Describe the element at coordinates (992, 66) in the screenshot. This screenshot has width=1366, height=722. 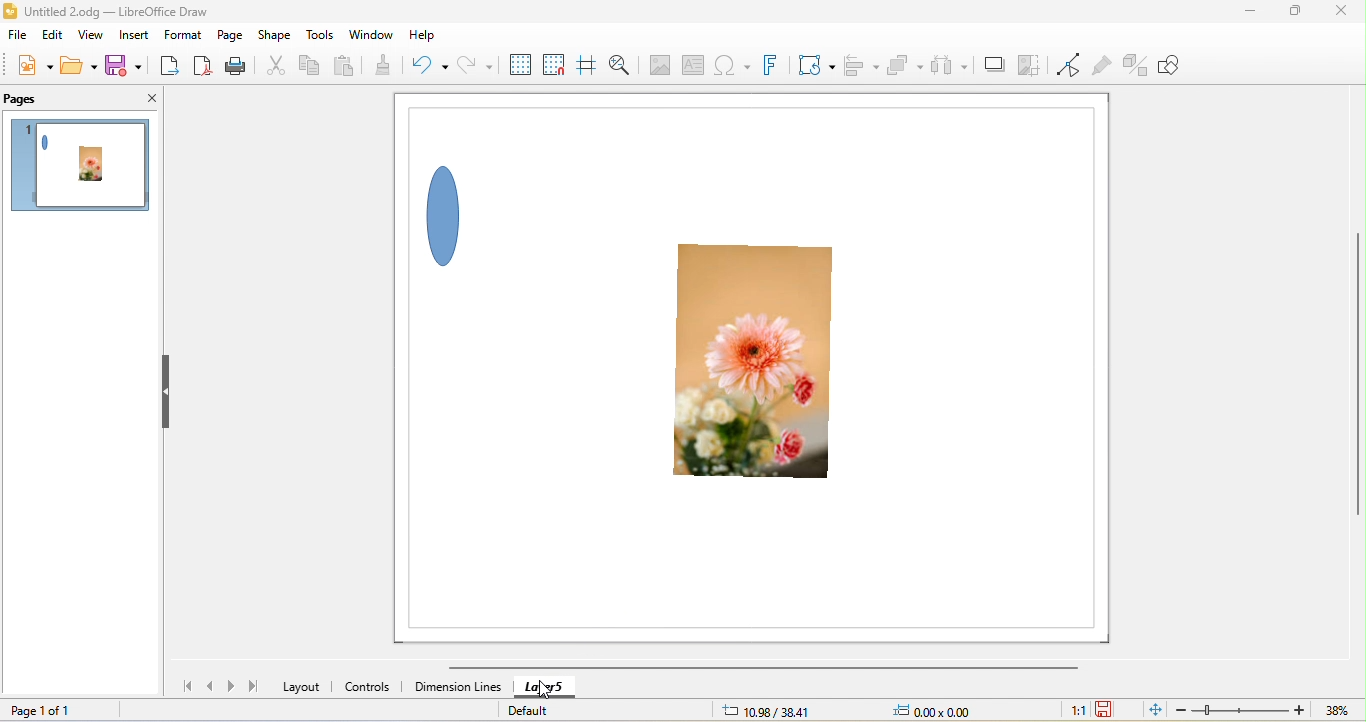
I see `shadow` at that location.